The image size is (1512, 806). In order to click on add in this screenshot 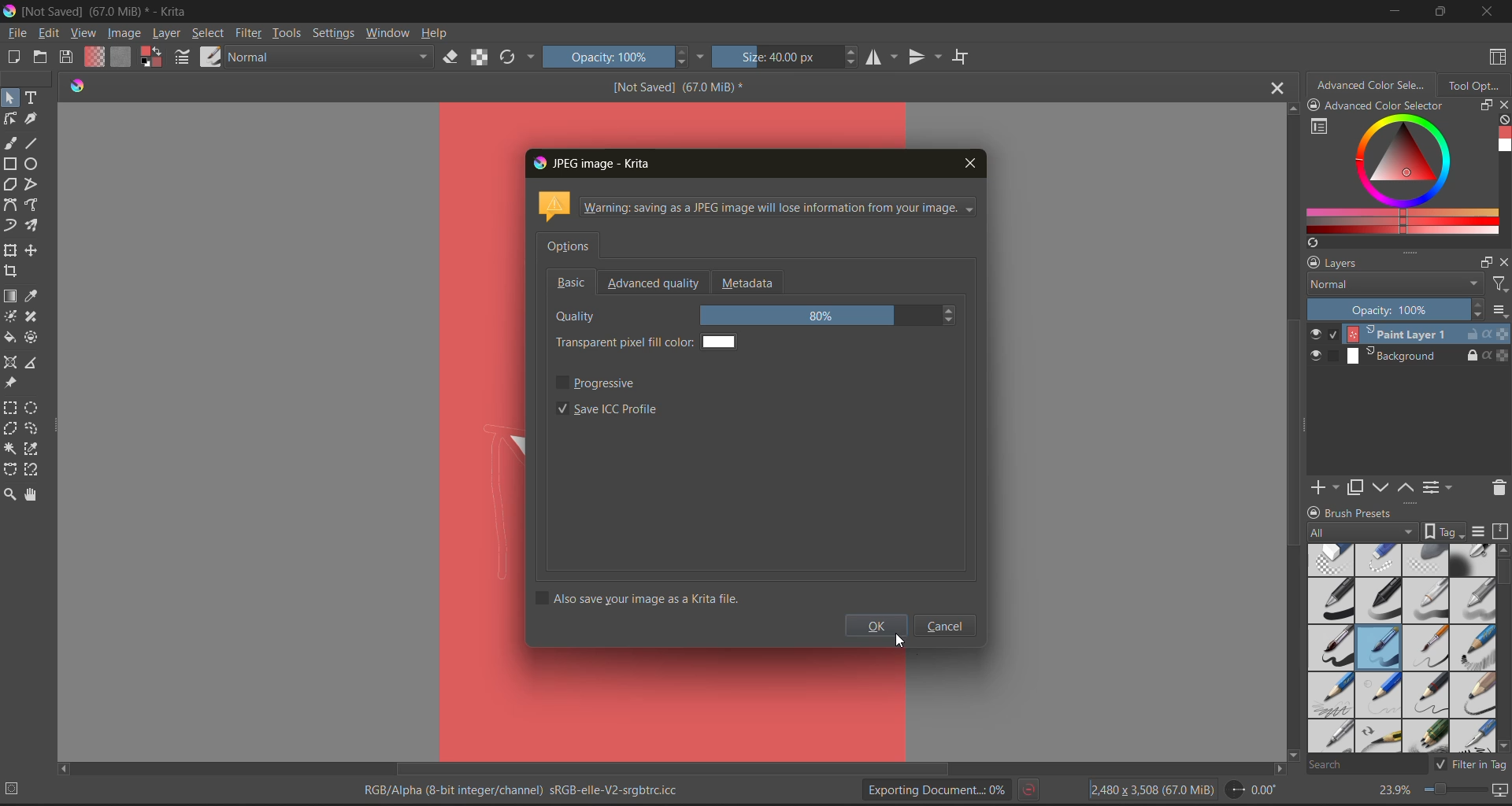, I will do `click(1329, 486)`.